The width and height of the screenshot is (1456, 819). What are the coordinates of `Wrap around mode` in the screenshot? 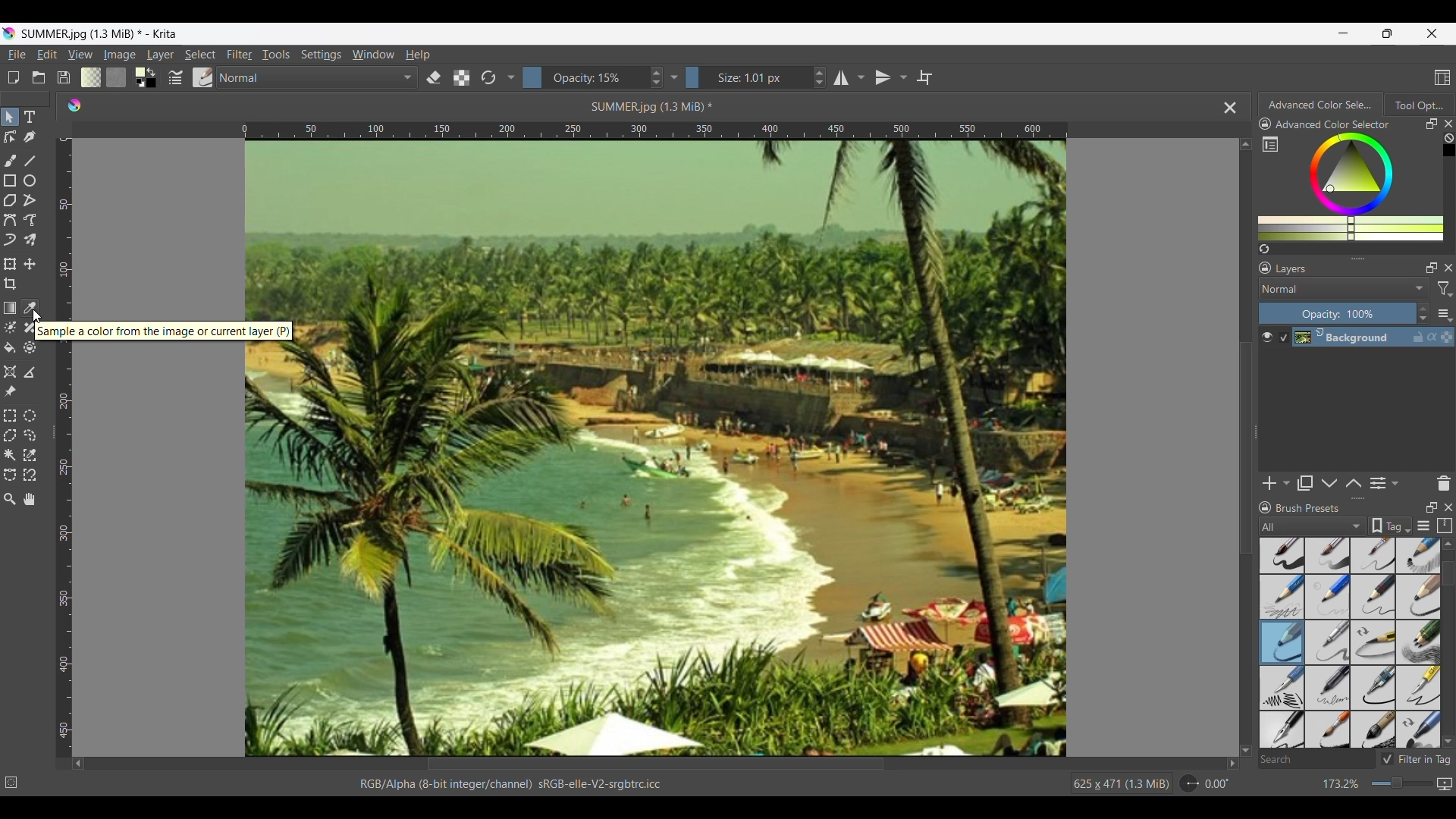 It's located at (924, 77).